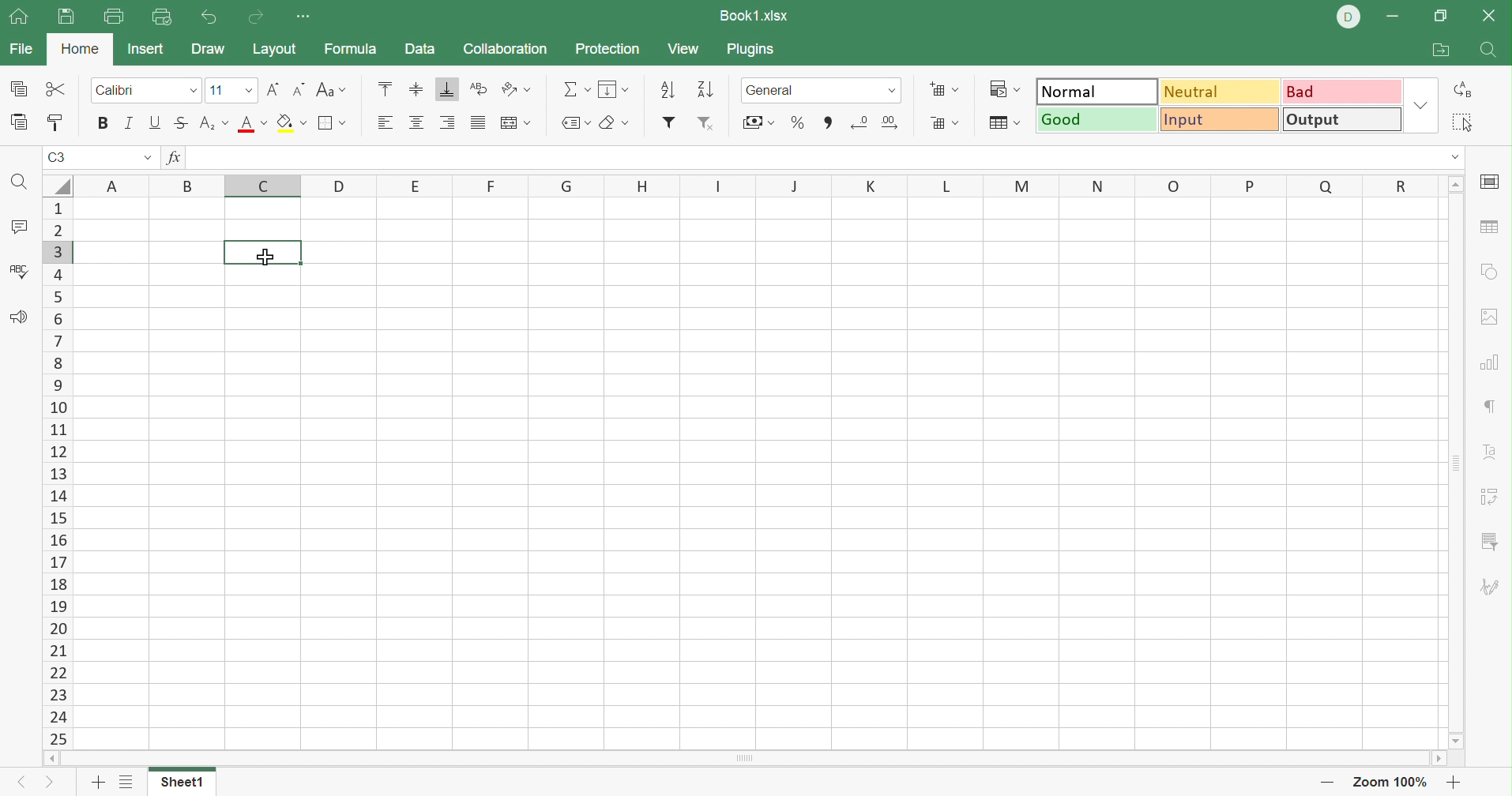 The width and height of the screenshot is (1512, 796). Describe the element at coordinates (260, 17) in the screenshot. I see `Redo` at that location.